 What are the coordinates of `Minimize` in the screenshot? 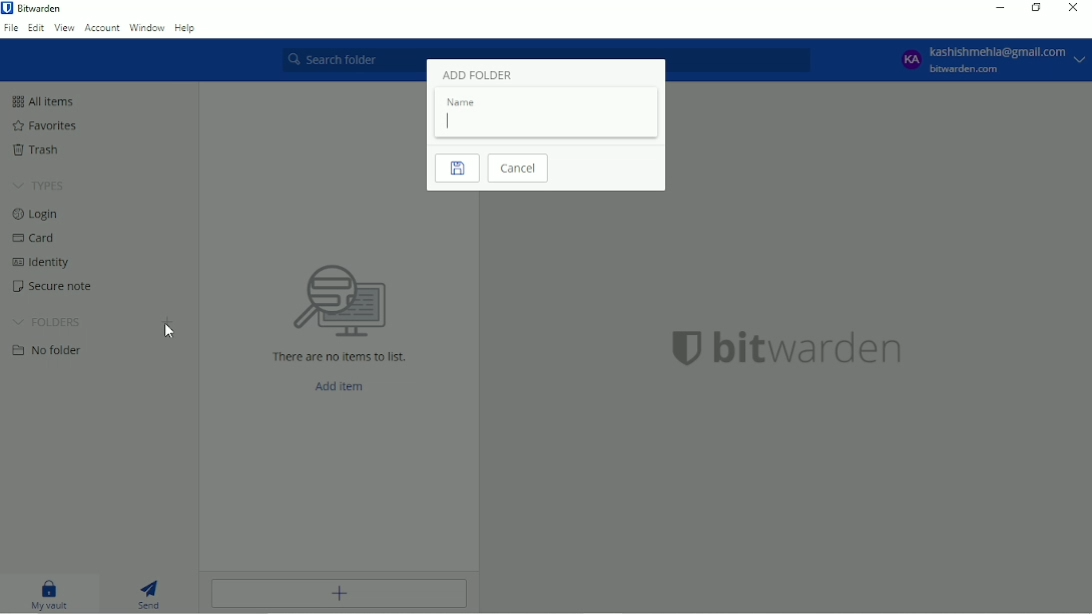 It's located at (999, 8).